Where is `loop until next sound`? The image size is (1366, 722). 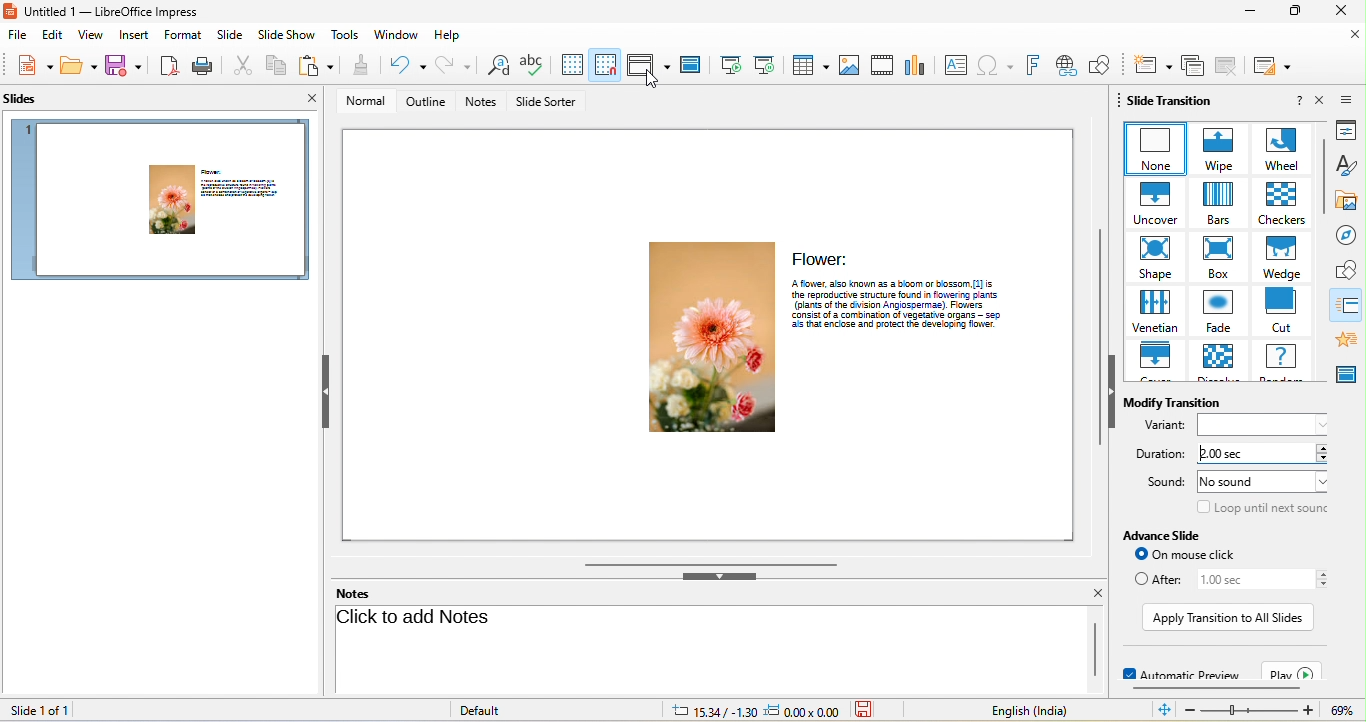
loop until next sound is located at coordinates (1264, 509).